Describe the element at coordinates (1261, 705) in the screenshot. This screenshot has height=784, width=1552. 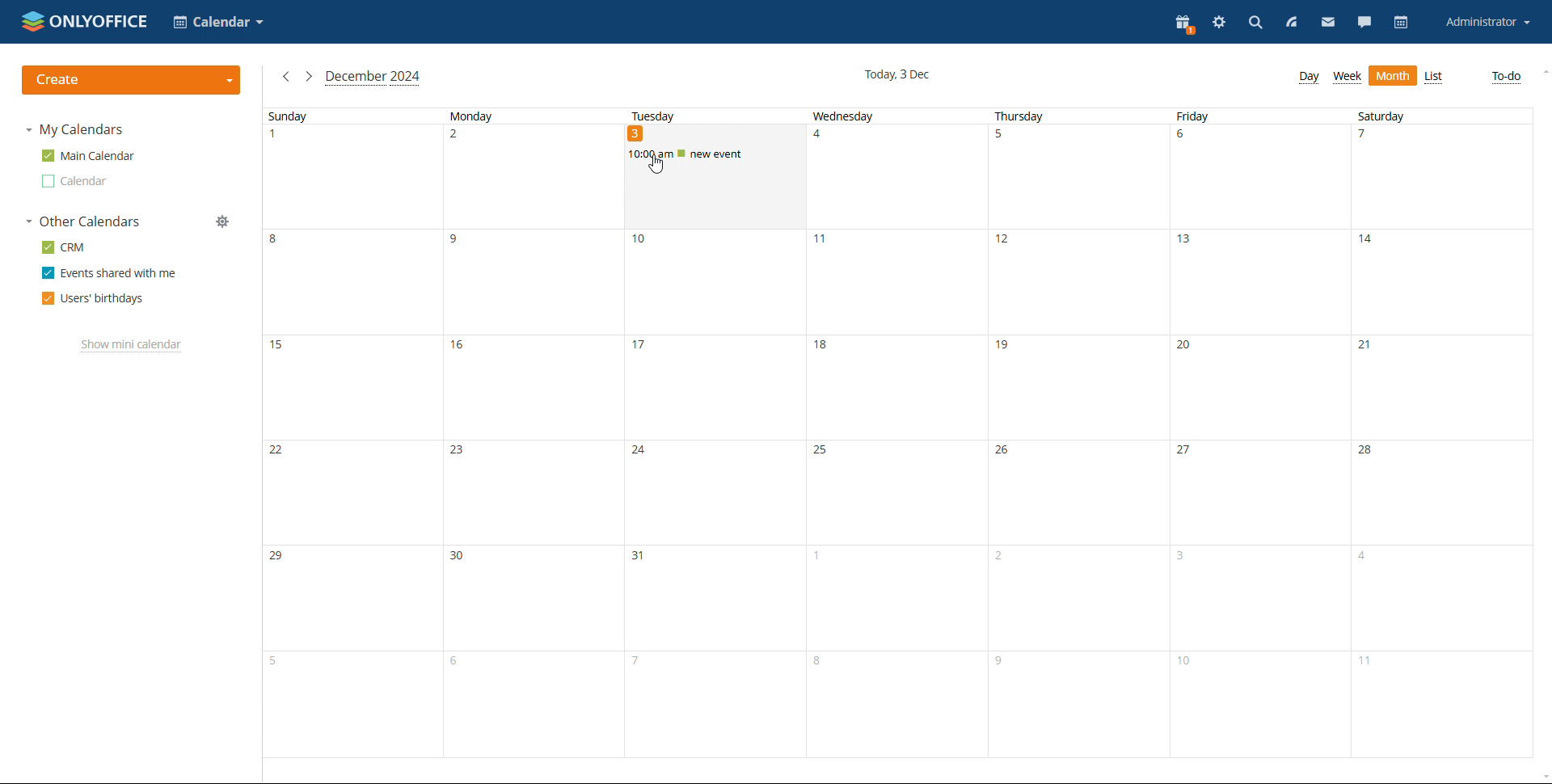
I see `10` at that location.